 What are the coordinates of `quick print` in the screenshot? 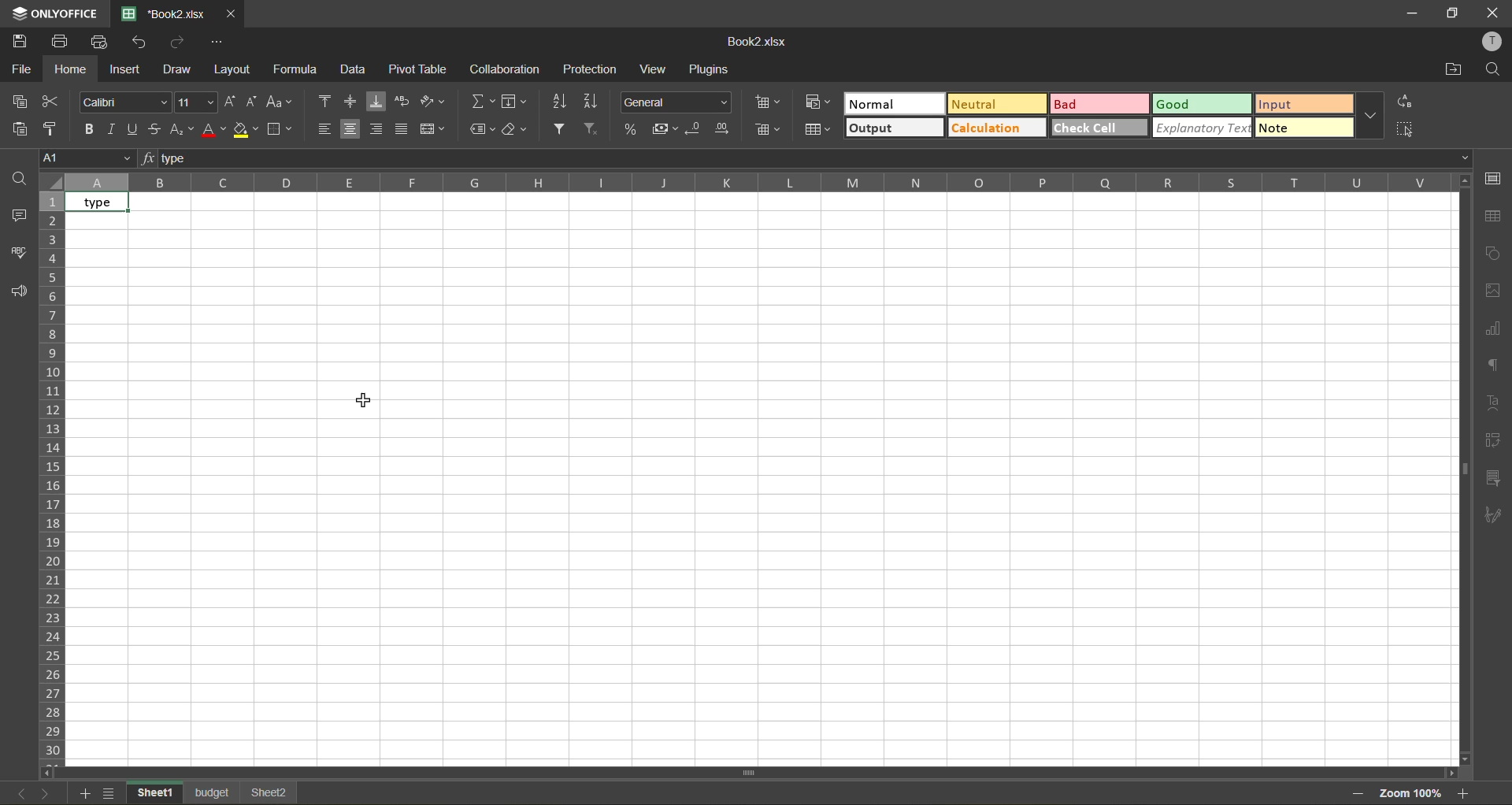 It's located at (100, 42).